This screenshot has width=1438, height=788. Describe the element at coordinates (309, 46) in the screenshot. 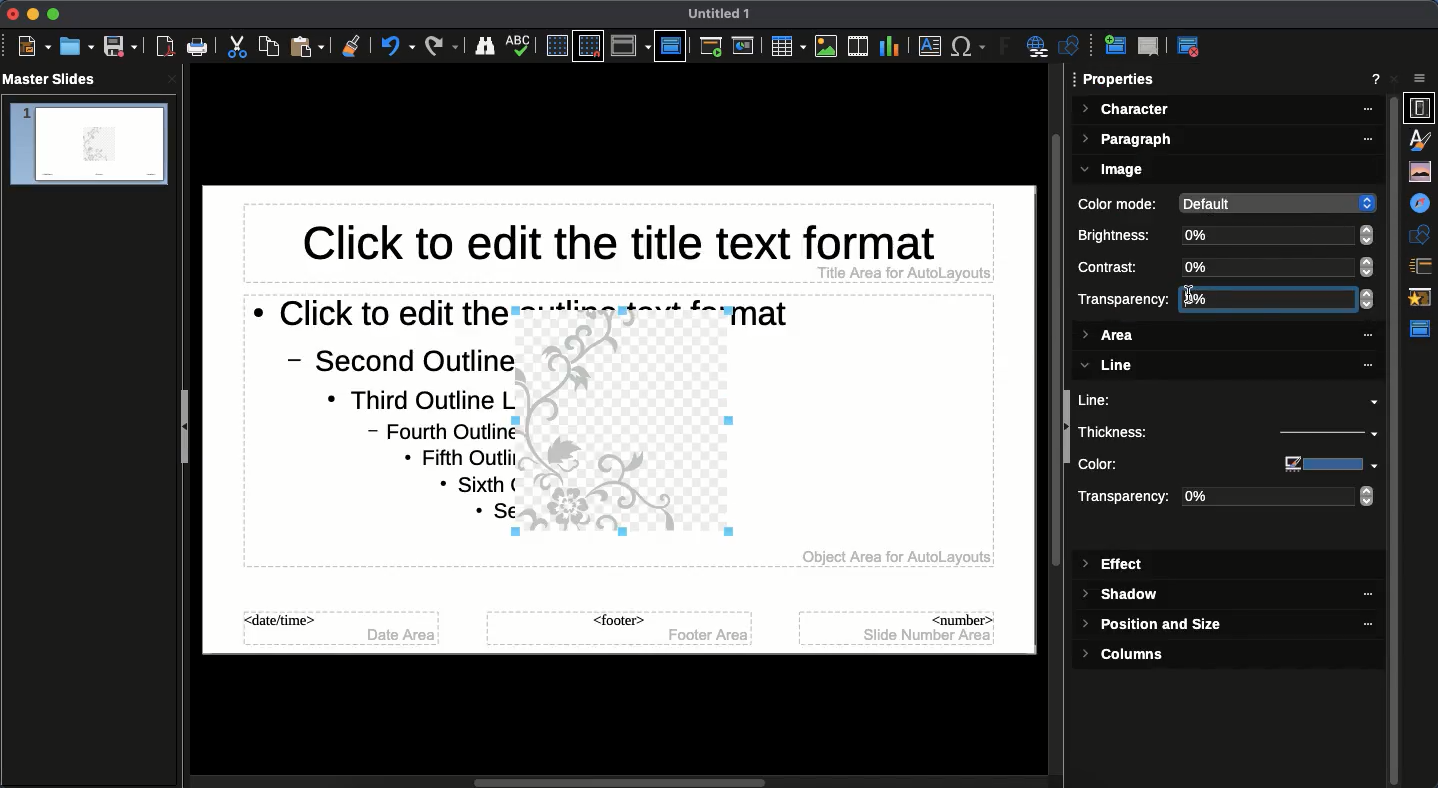

I see `Paste` at that location.